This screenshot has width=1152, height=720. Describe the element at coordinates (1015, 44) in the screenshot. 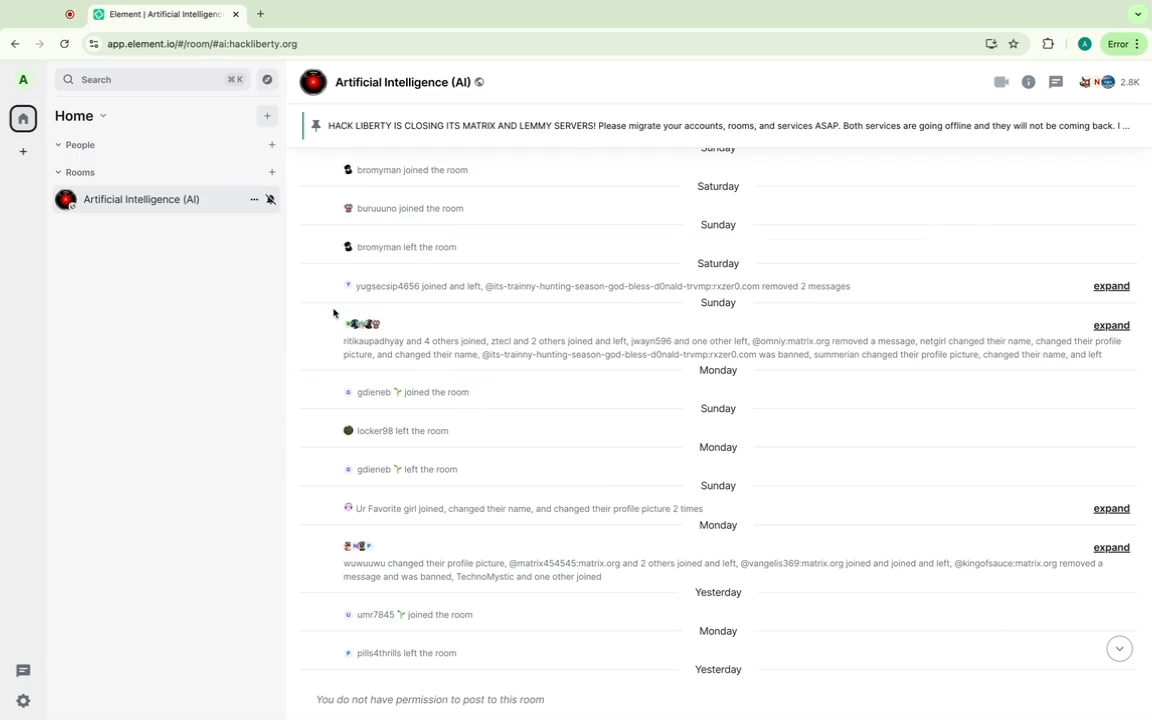

I see `Favorite` at that location.